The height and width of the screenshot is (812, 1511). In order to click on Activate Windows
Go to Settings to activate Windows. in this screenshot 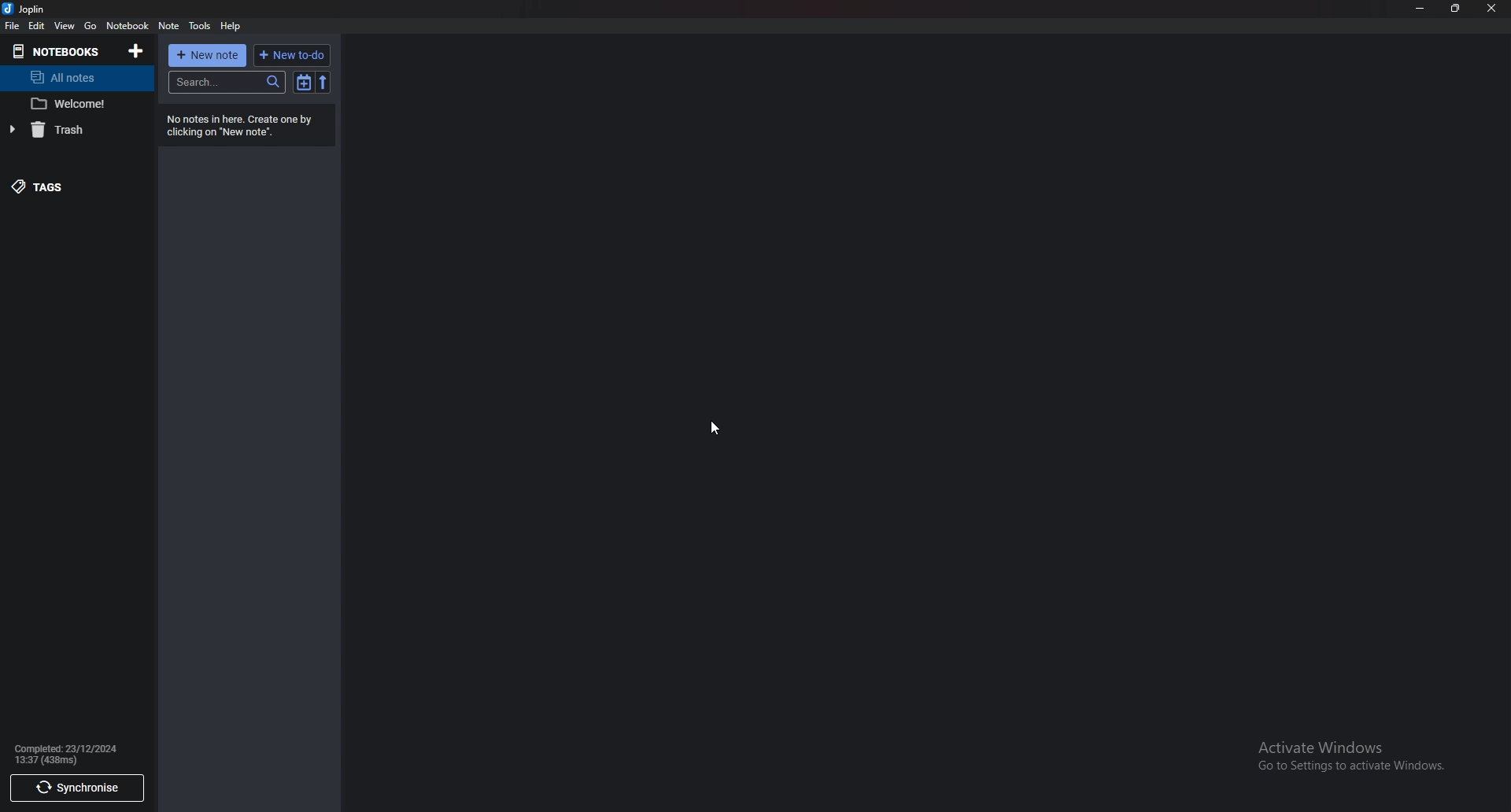, I will do `click(1353, 755)`.